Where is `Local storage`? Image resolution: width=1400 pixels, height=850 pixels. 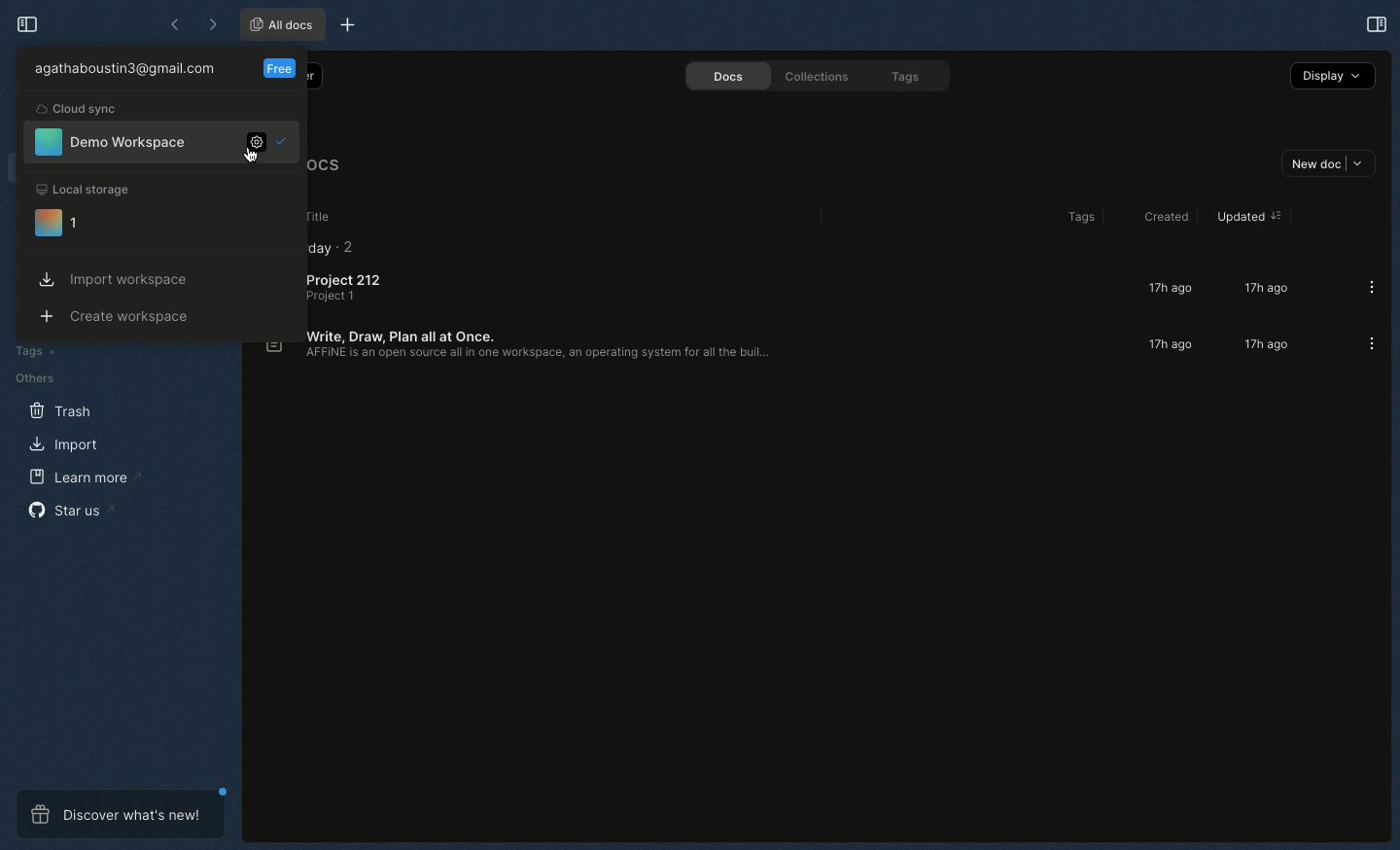 Local storage is located at coordinates (93, 188).